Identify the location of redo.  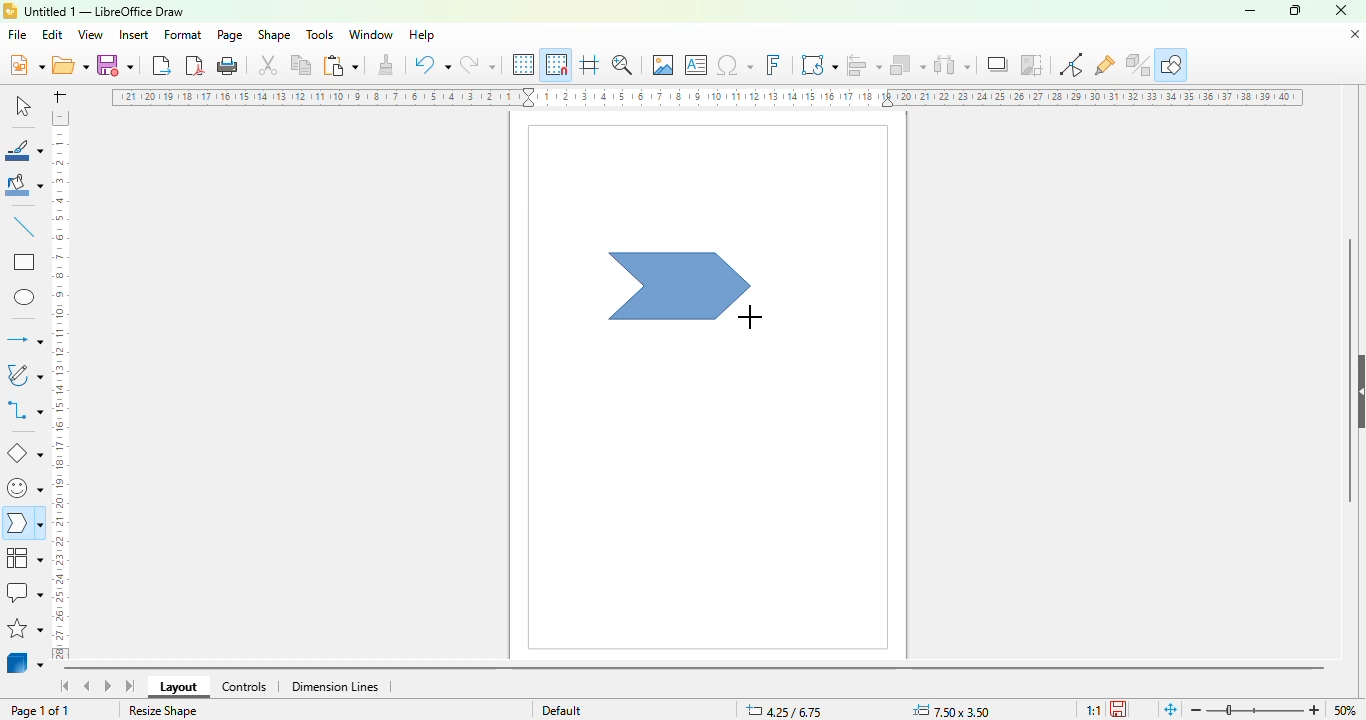
(477, 64).